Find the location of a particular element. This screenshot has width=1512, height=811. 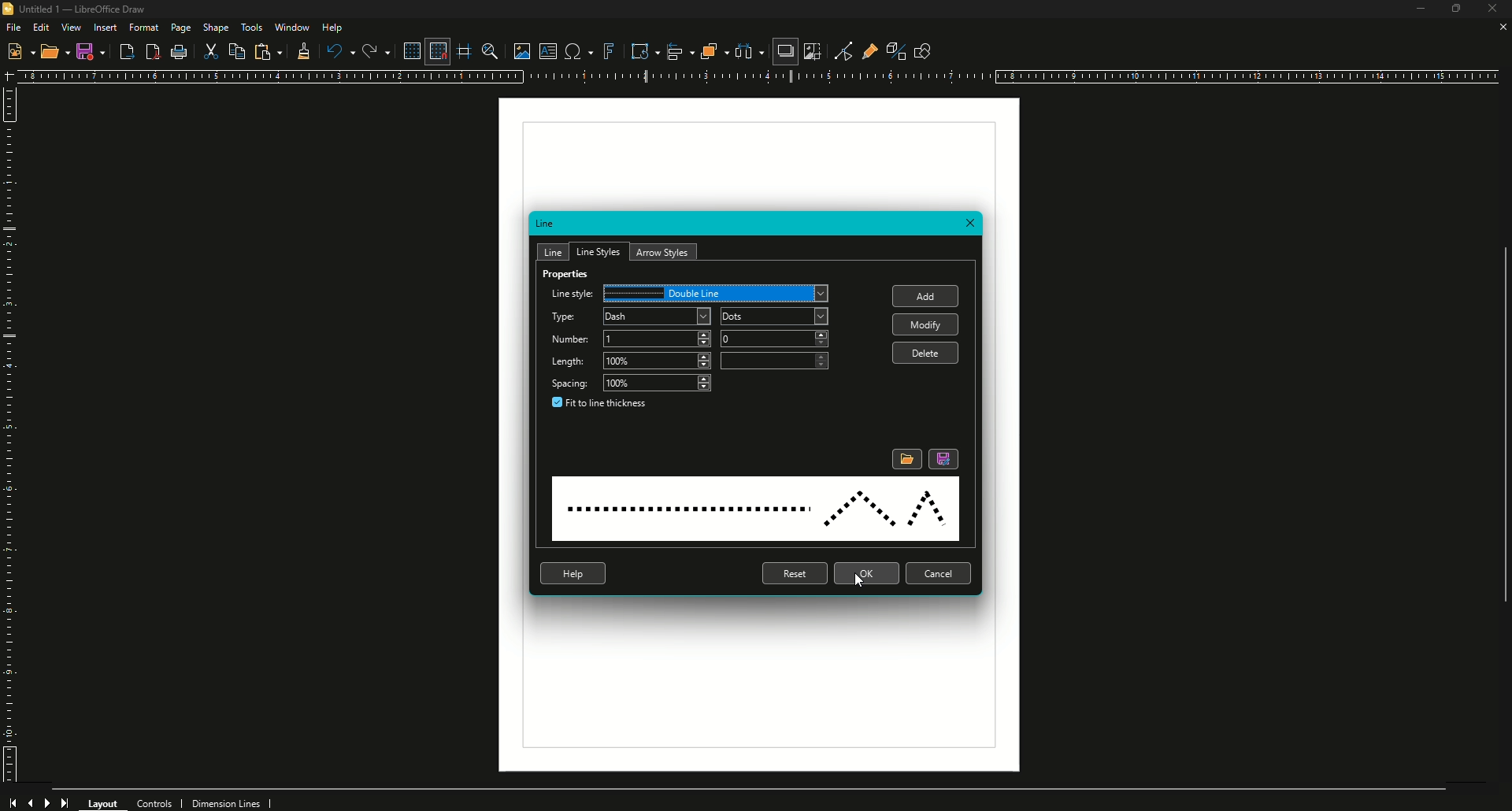

Export is located at coordinates (126, 53).